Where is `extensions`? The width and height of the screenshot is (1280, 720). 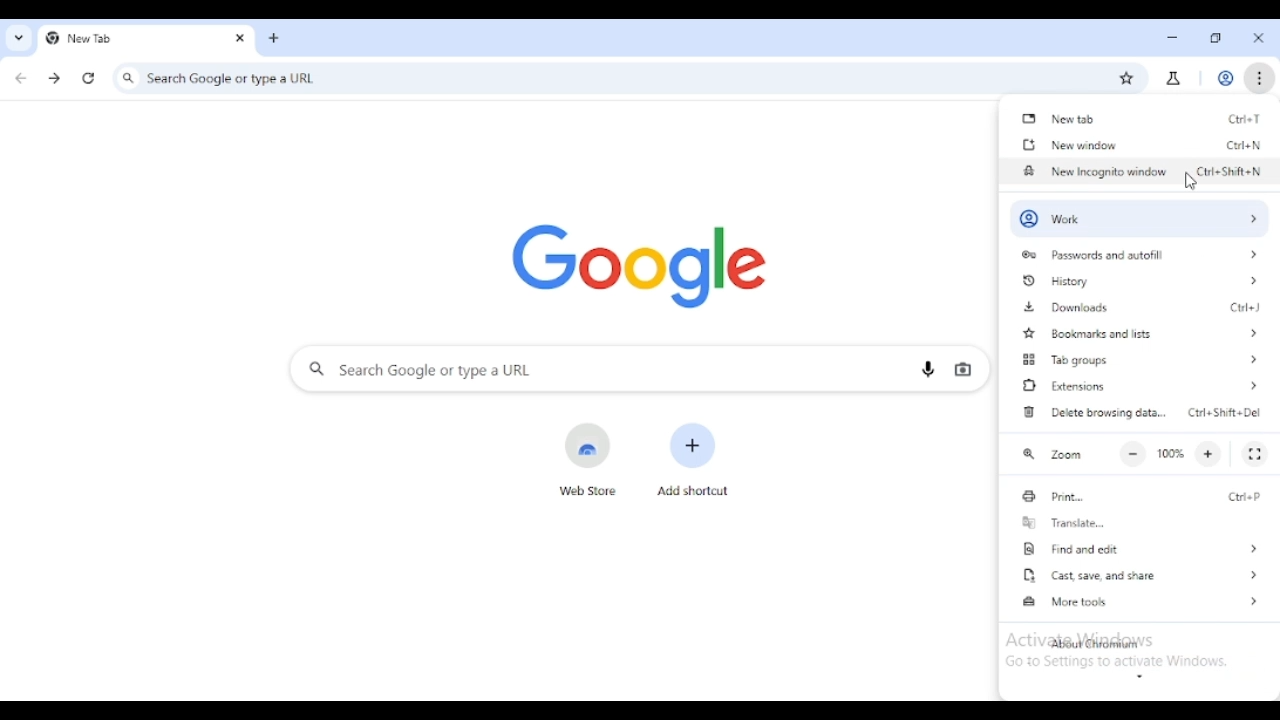
extensions is located at coordinates (1142, 386).